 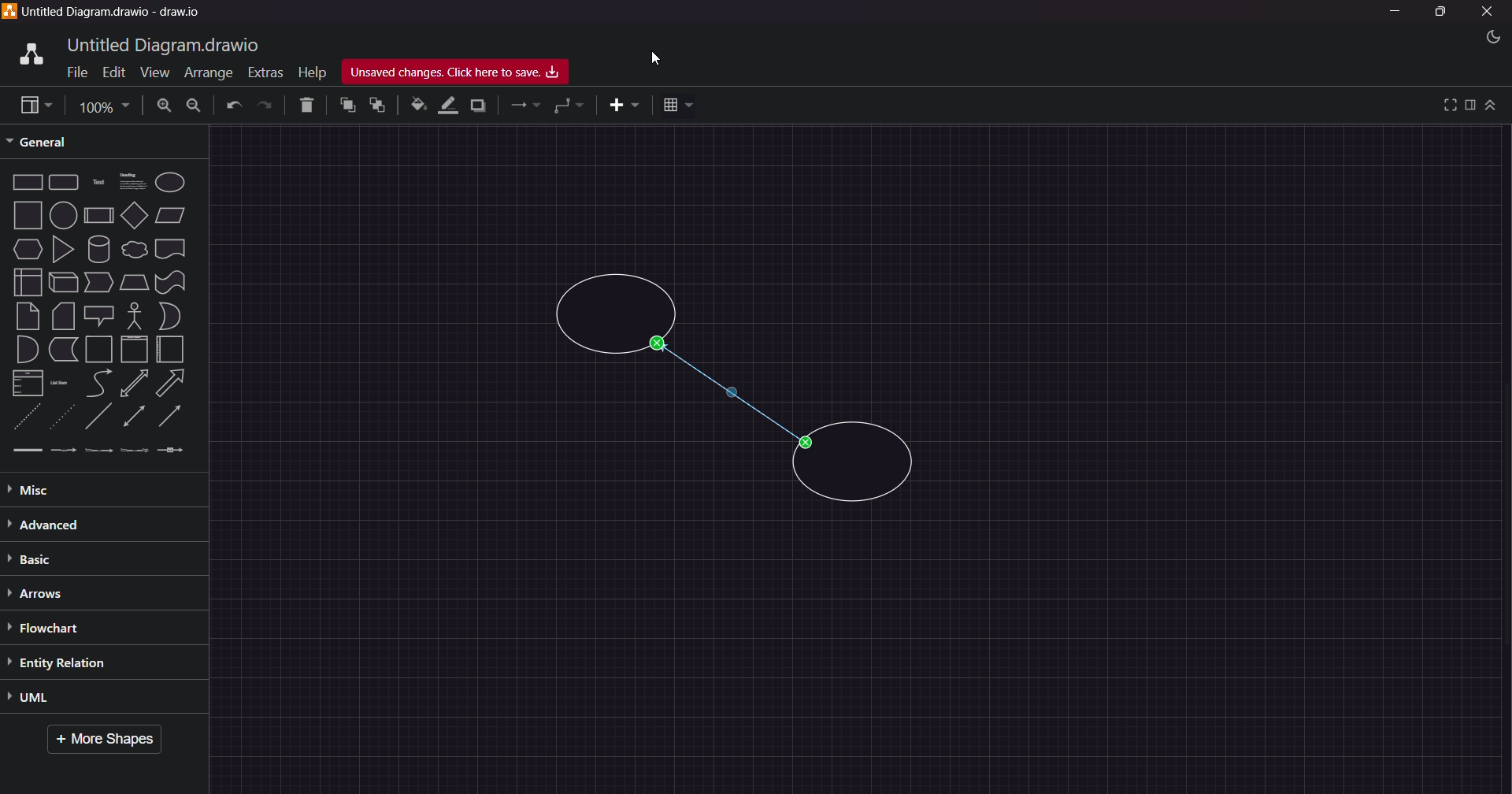 I want to click on to back, so click(x=375, y=106).